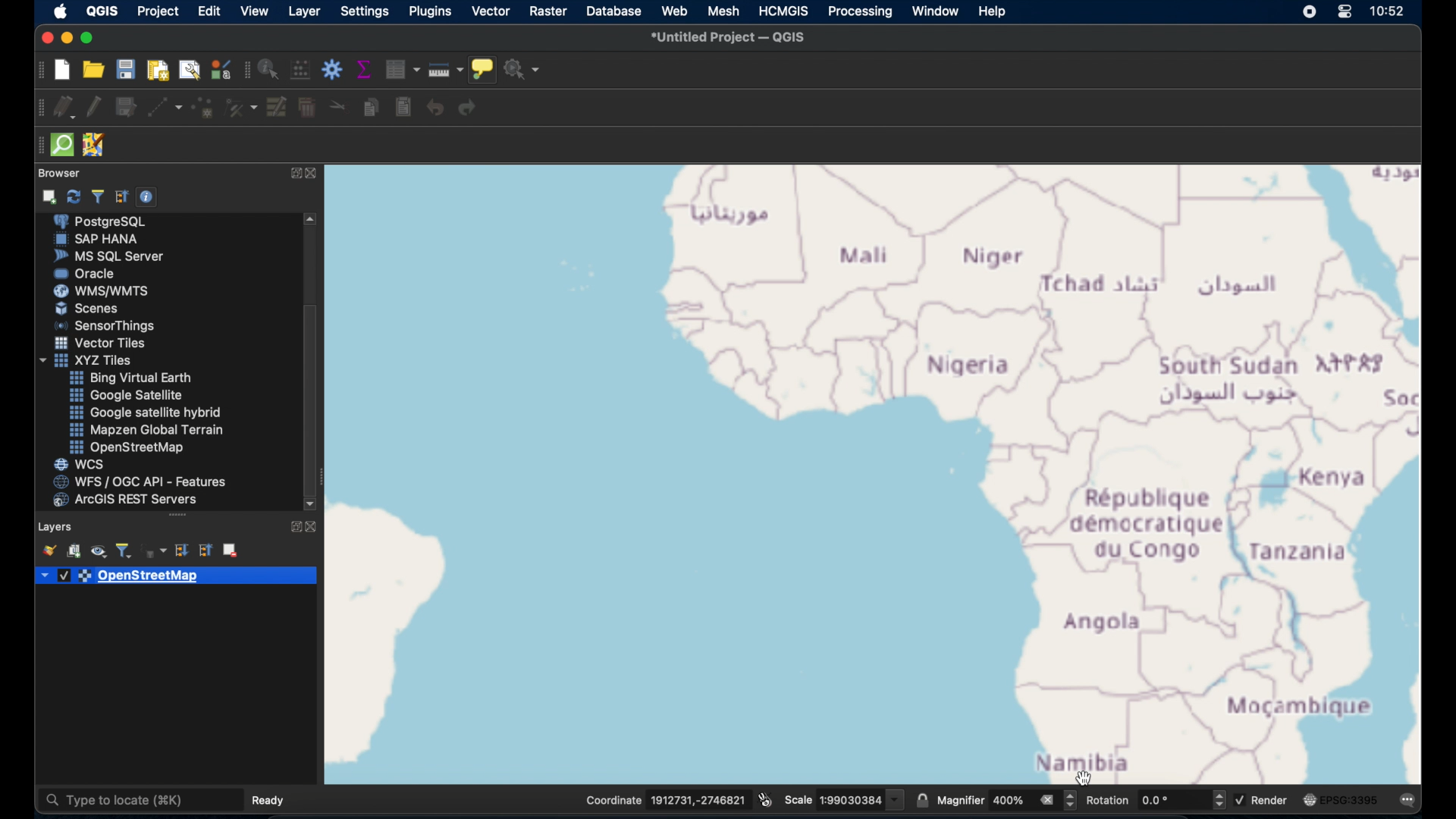  Describe the element at coordinates (49, 199) in the screenshot. I see `add selected layer` at that location.